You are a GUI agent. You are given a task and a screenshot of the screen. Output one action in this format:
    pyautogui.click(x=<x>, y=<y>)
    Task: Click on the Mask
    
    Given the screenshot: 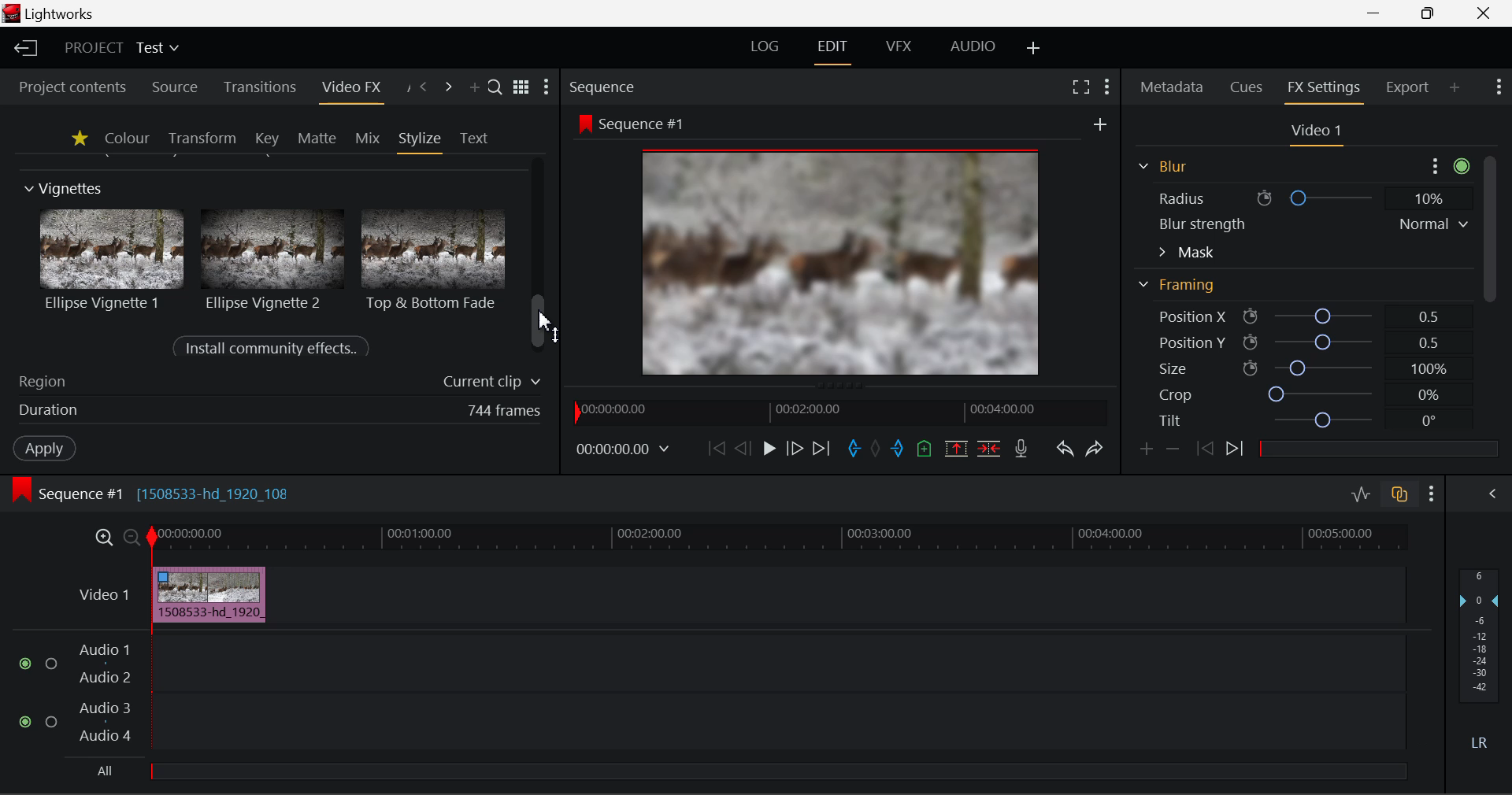 What is the action you would take?
    pyautogui.click(x=1187, y=252)
    